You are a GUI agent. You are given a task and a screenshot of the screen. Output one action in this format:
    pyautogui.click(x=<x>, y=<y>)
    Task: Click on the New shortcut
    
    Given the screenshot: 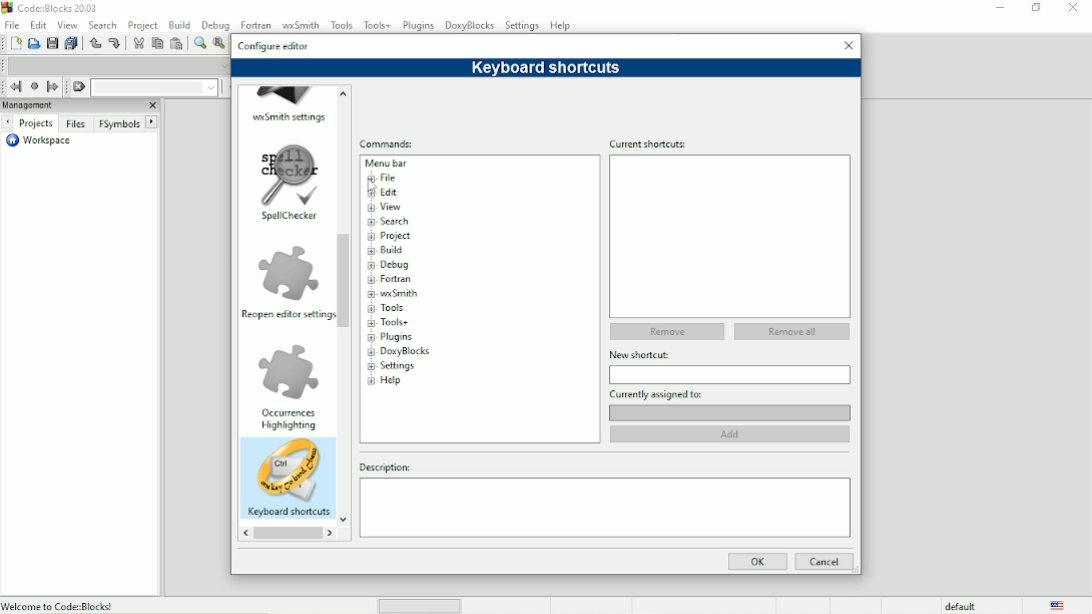 What is the action you would take?
    pyautogui.click(x=730, y=355)
    